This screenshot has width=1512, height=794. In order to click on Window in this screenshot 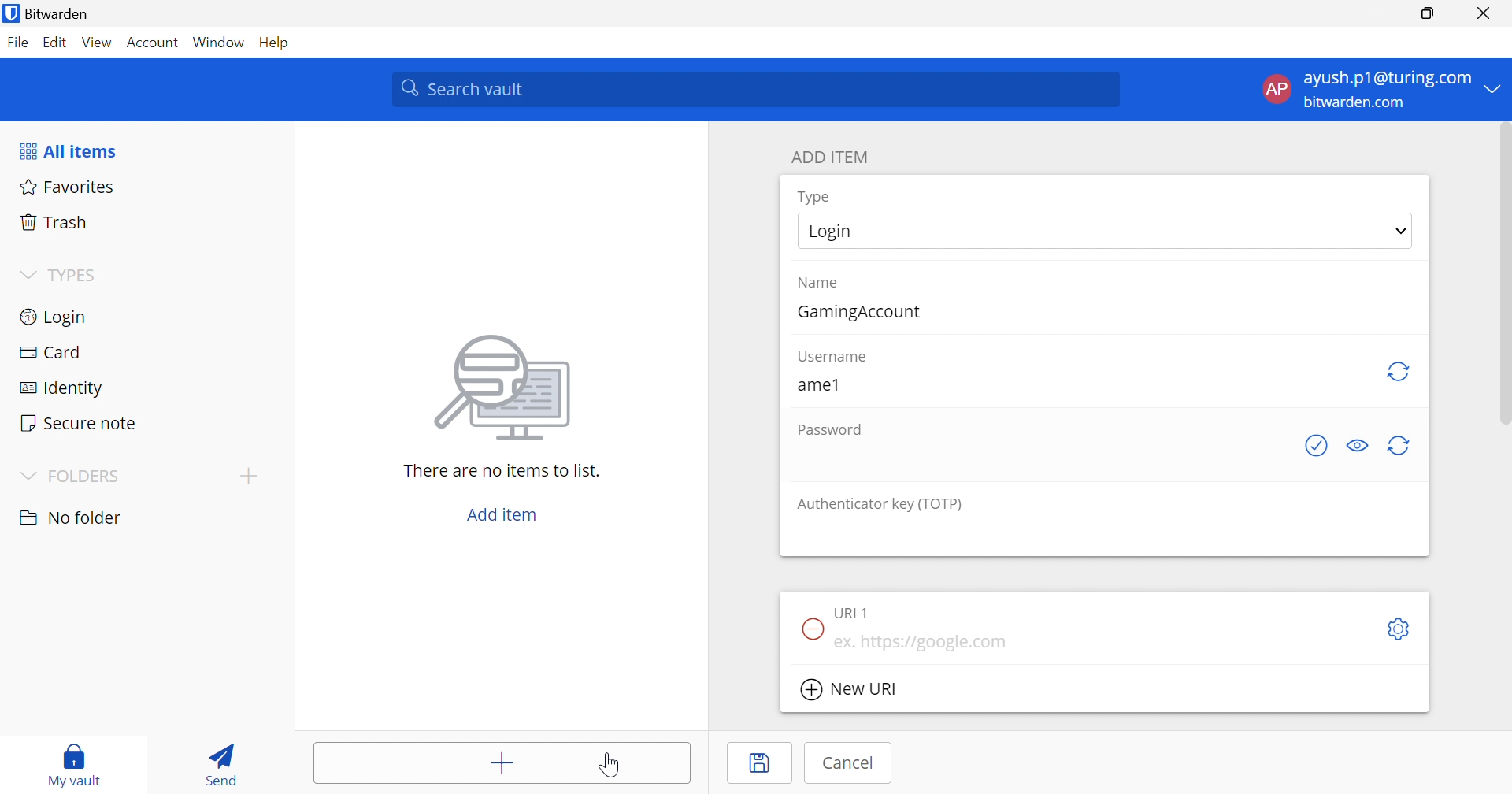, I will do `click(218, 43)`.